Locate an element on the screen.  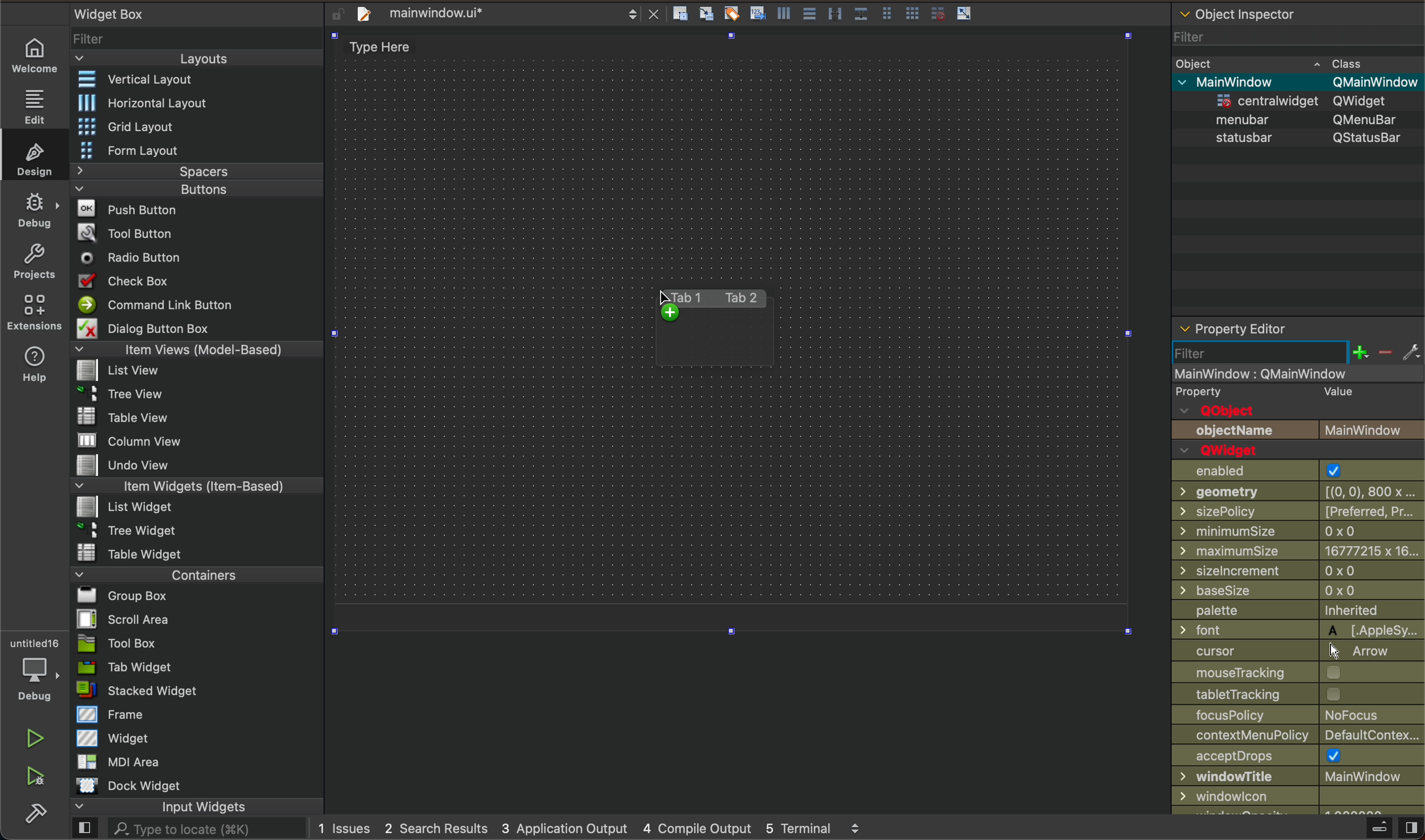
stacked Widget is located at coordinates (140, 690).